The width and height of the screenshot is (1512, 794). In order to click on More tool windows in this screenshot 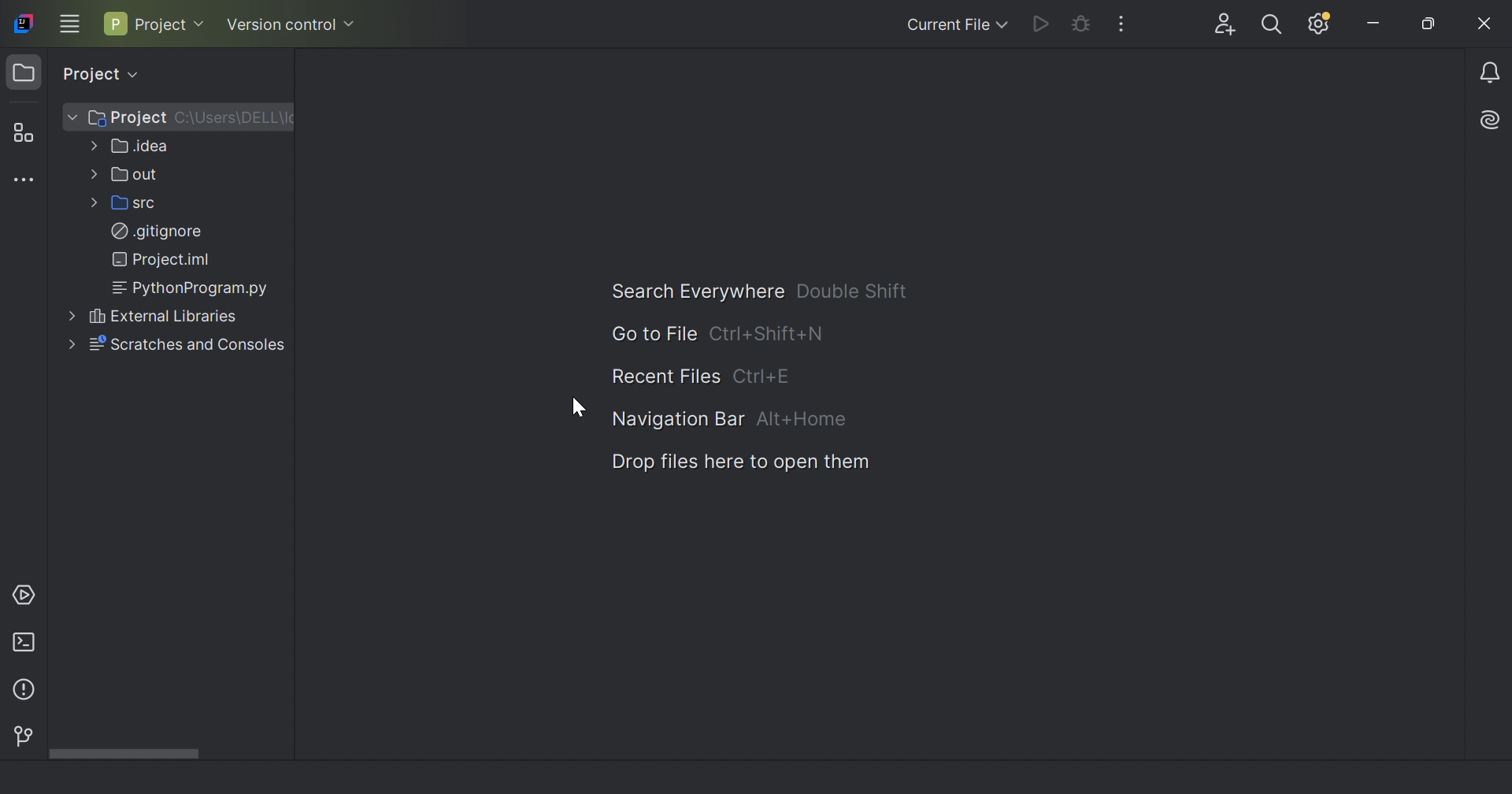, I will do `click(28, 180)`.